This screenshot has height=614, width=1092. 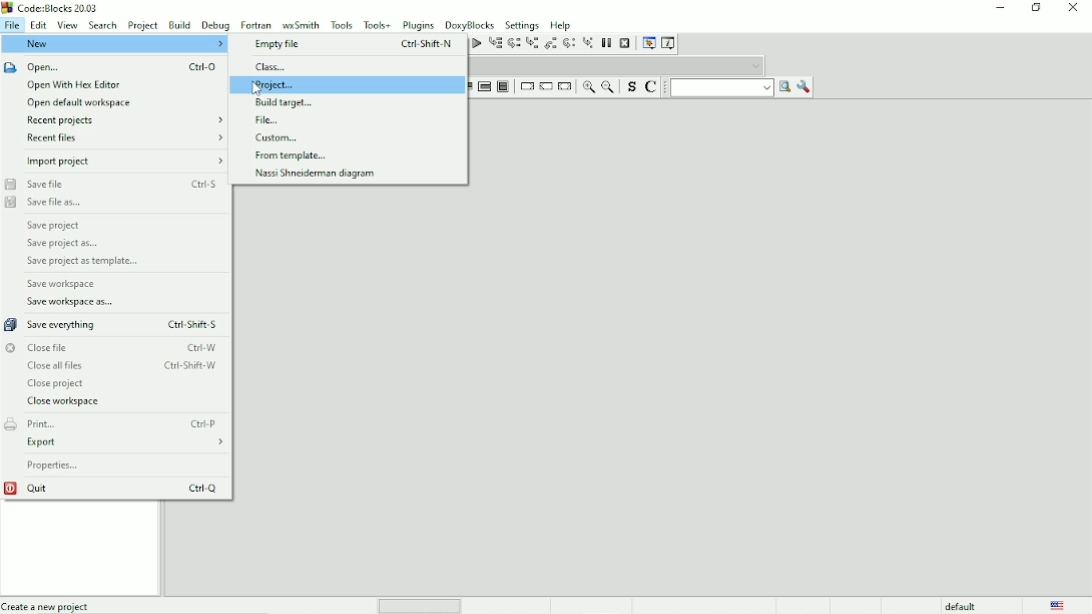 I want to click on Custom, so click(x=281, y=137).